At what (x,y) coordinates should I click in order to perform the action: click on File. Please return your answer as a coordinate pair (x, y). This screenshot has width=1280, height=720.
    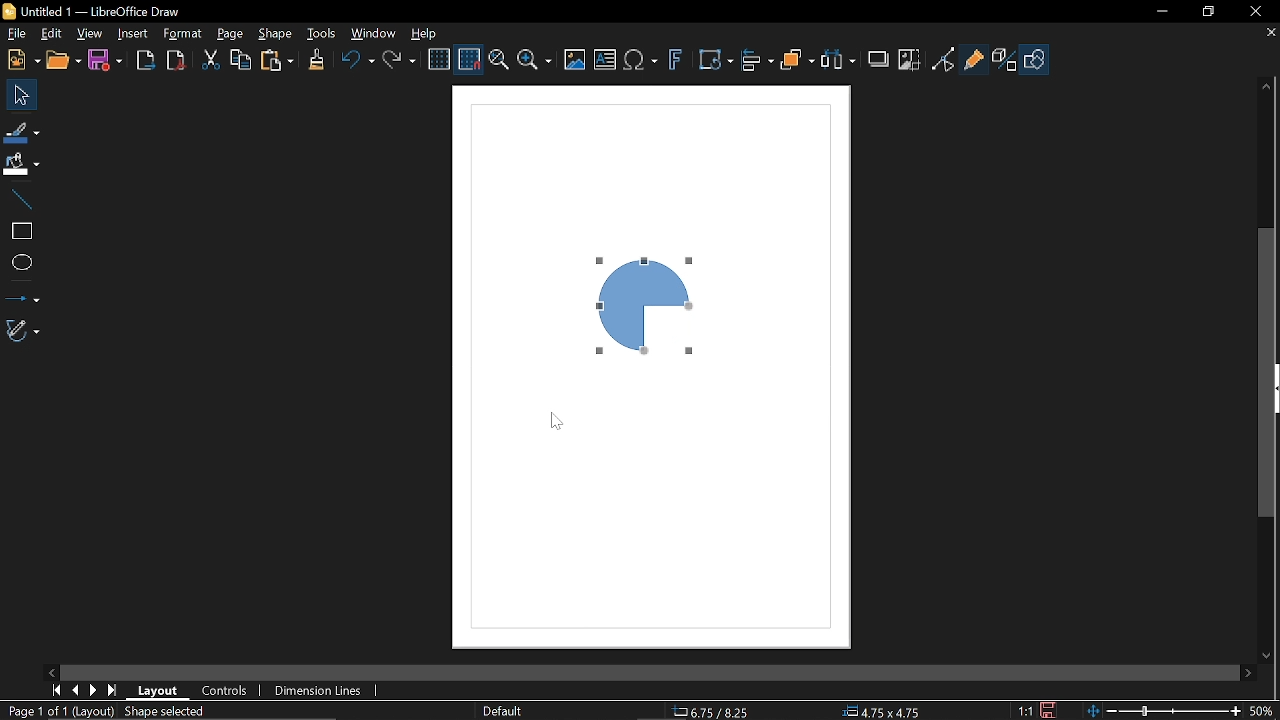
    Looking at the image, I should click on (14, 33).